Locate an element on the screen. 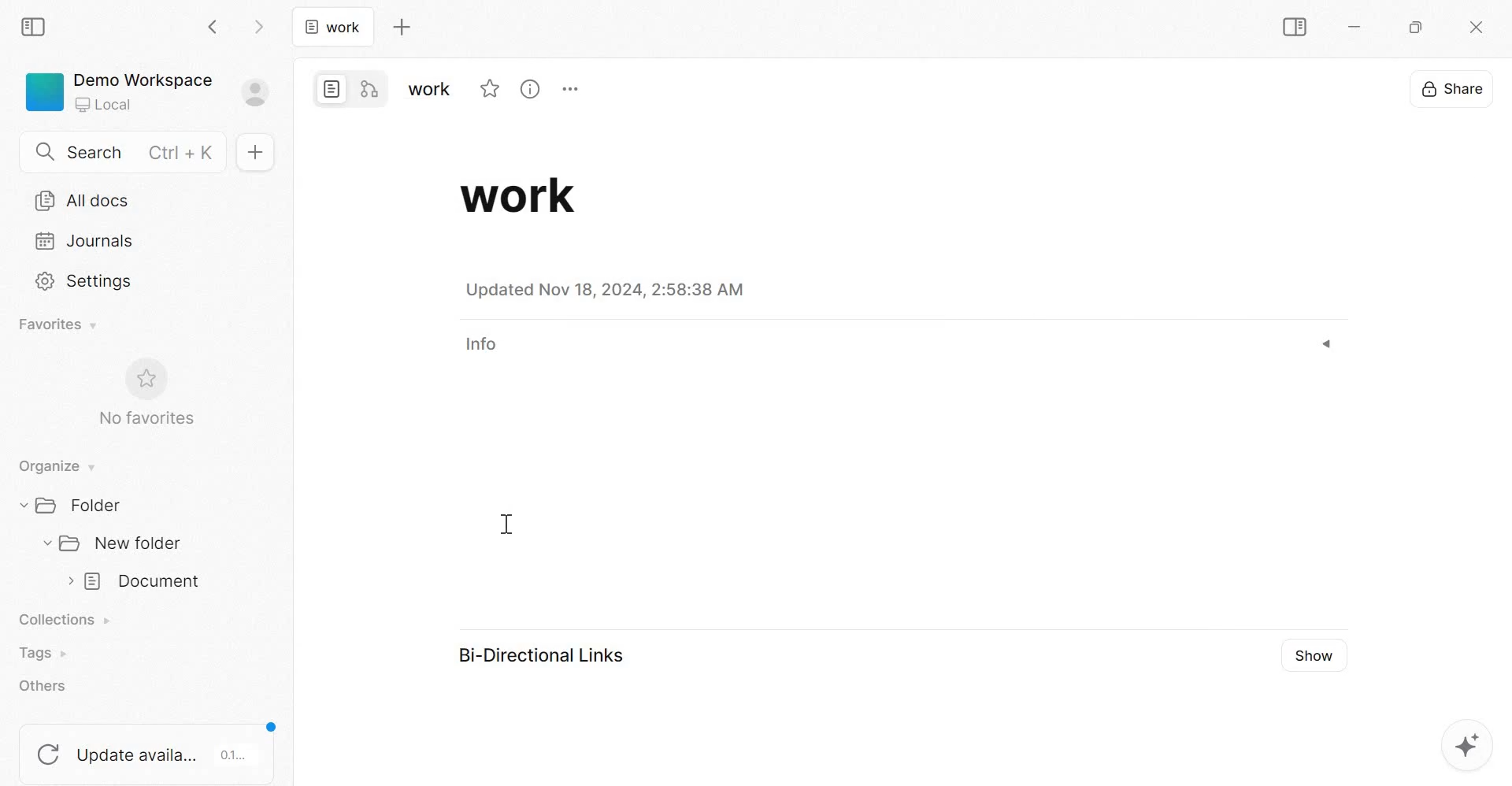 The image size is (1512, 786). favorite is located at coordinates (489, 88).